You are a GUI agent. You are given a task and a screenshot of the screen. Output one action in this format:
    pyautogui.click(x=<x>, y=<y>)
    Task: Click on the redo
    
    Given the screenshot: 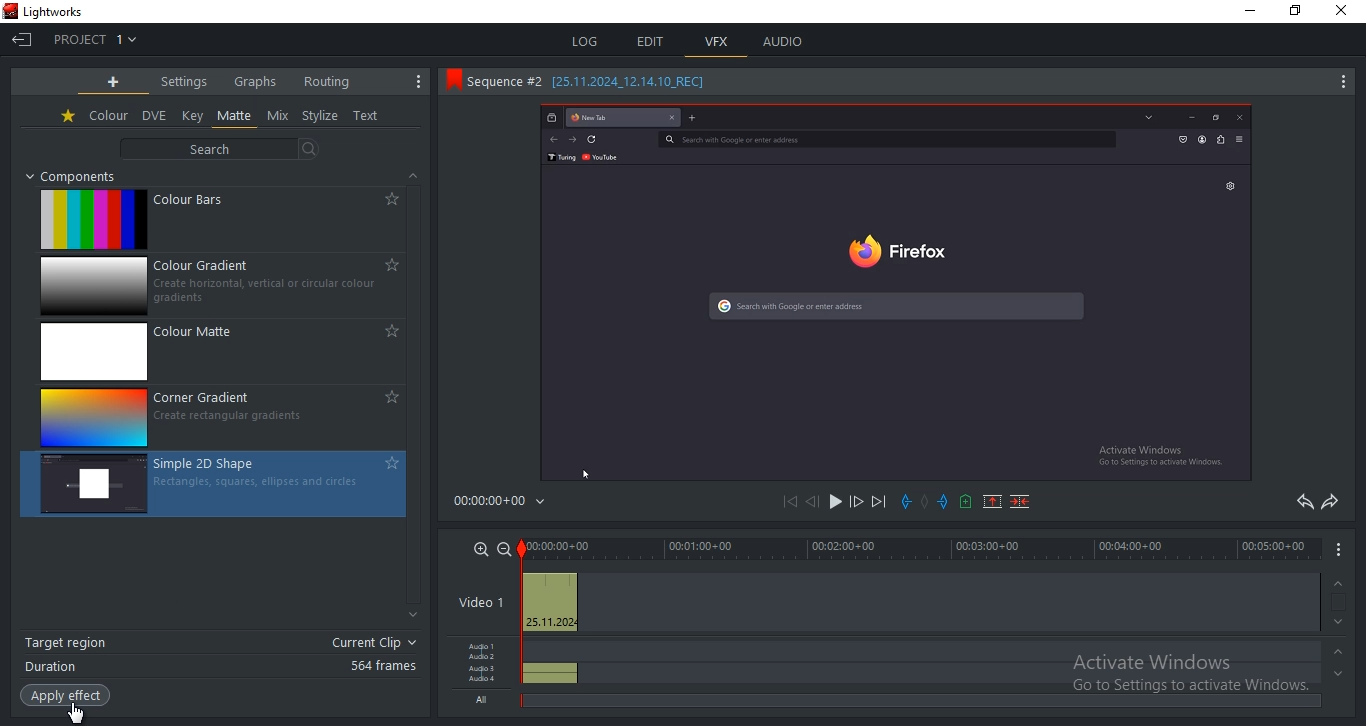 What is the action you would take?
    pyautogui.click(x=1331, y=501)
    